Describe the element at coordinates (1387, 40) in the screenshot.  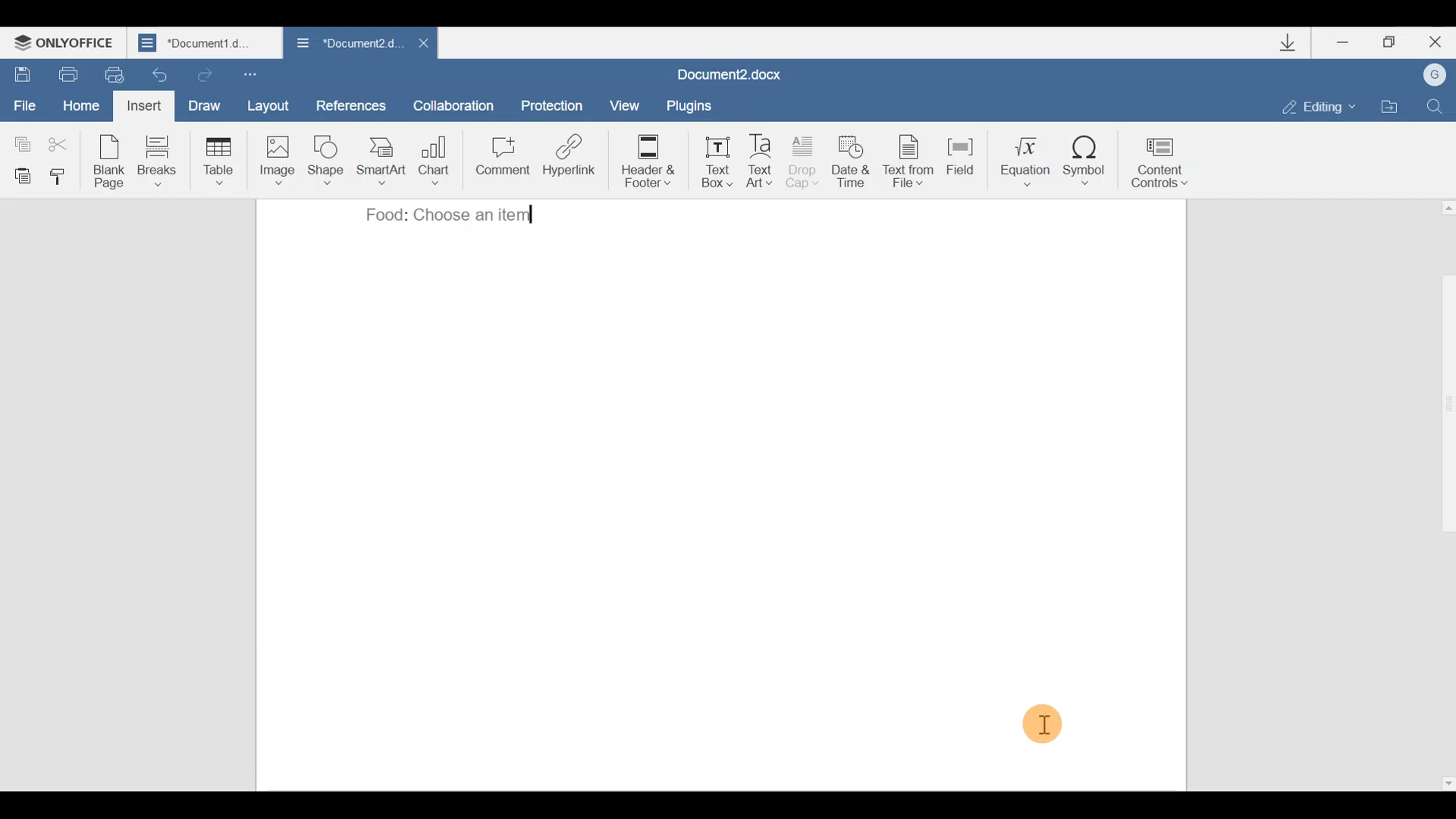
I see `Maximize` at that location.